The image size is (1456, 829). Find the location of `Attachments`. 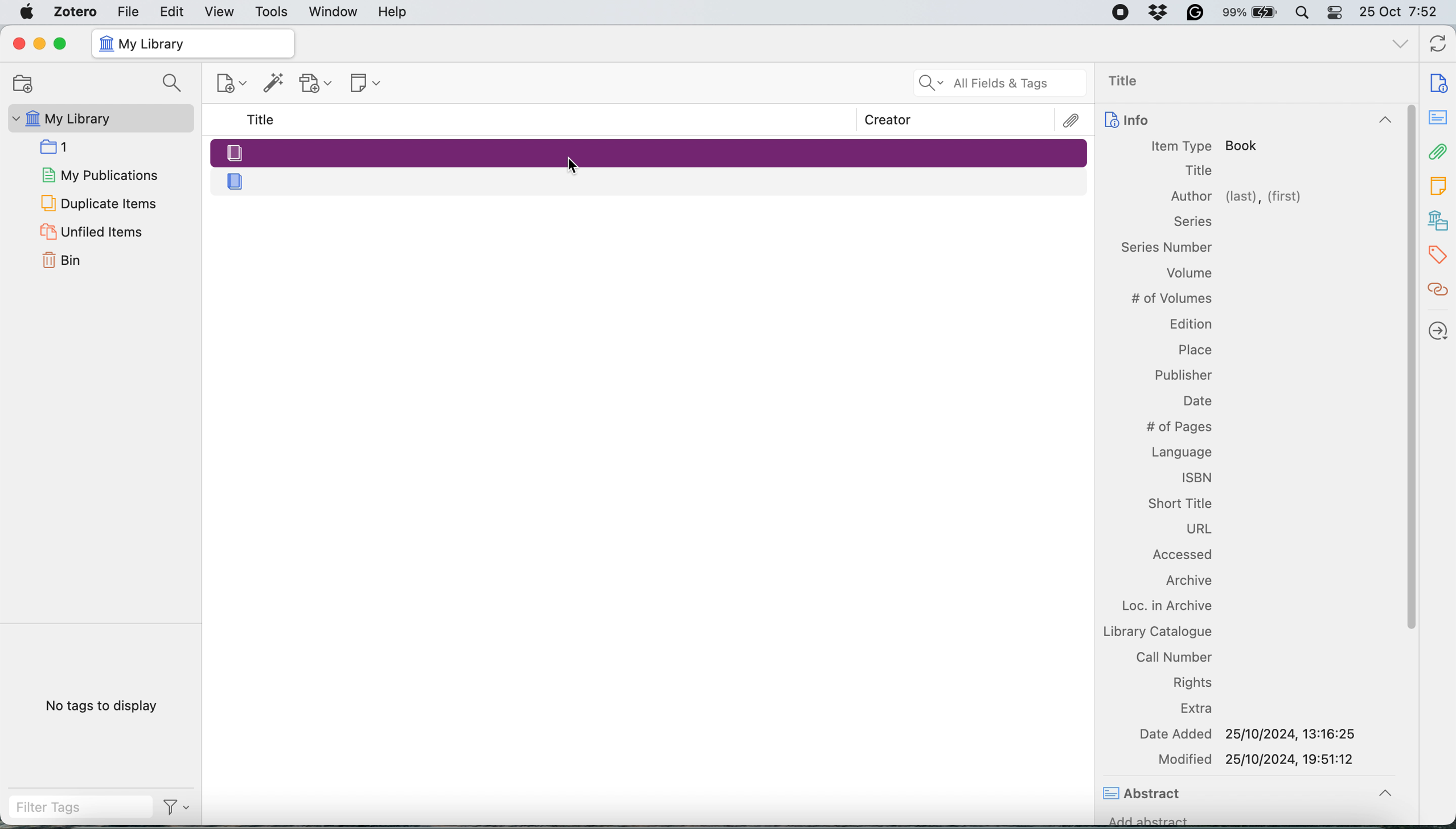

Attachments is located at coordinates (1072, 121).